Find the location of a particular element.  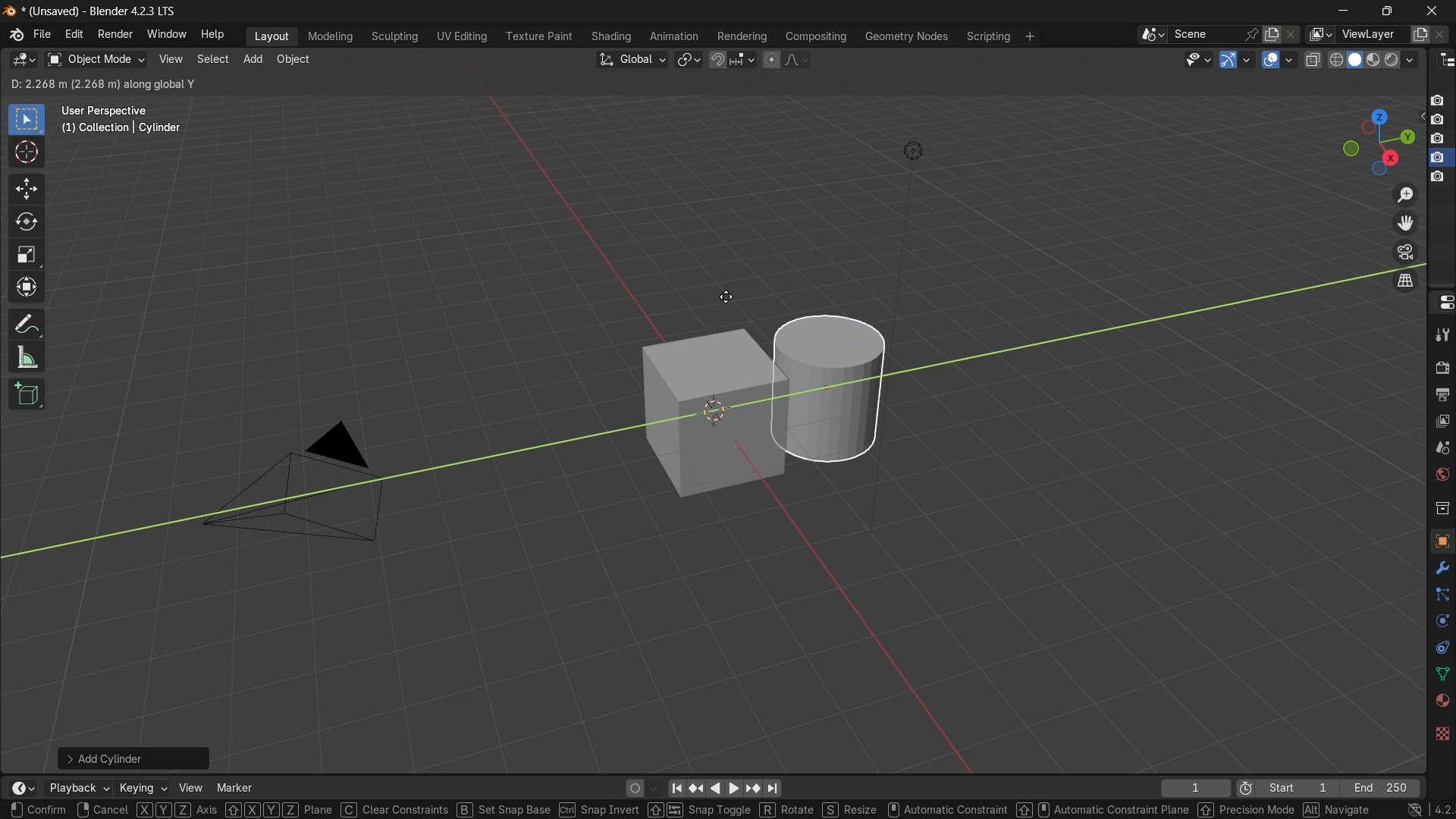

wireframe is located at coordinates (1336, 60).